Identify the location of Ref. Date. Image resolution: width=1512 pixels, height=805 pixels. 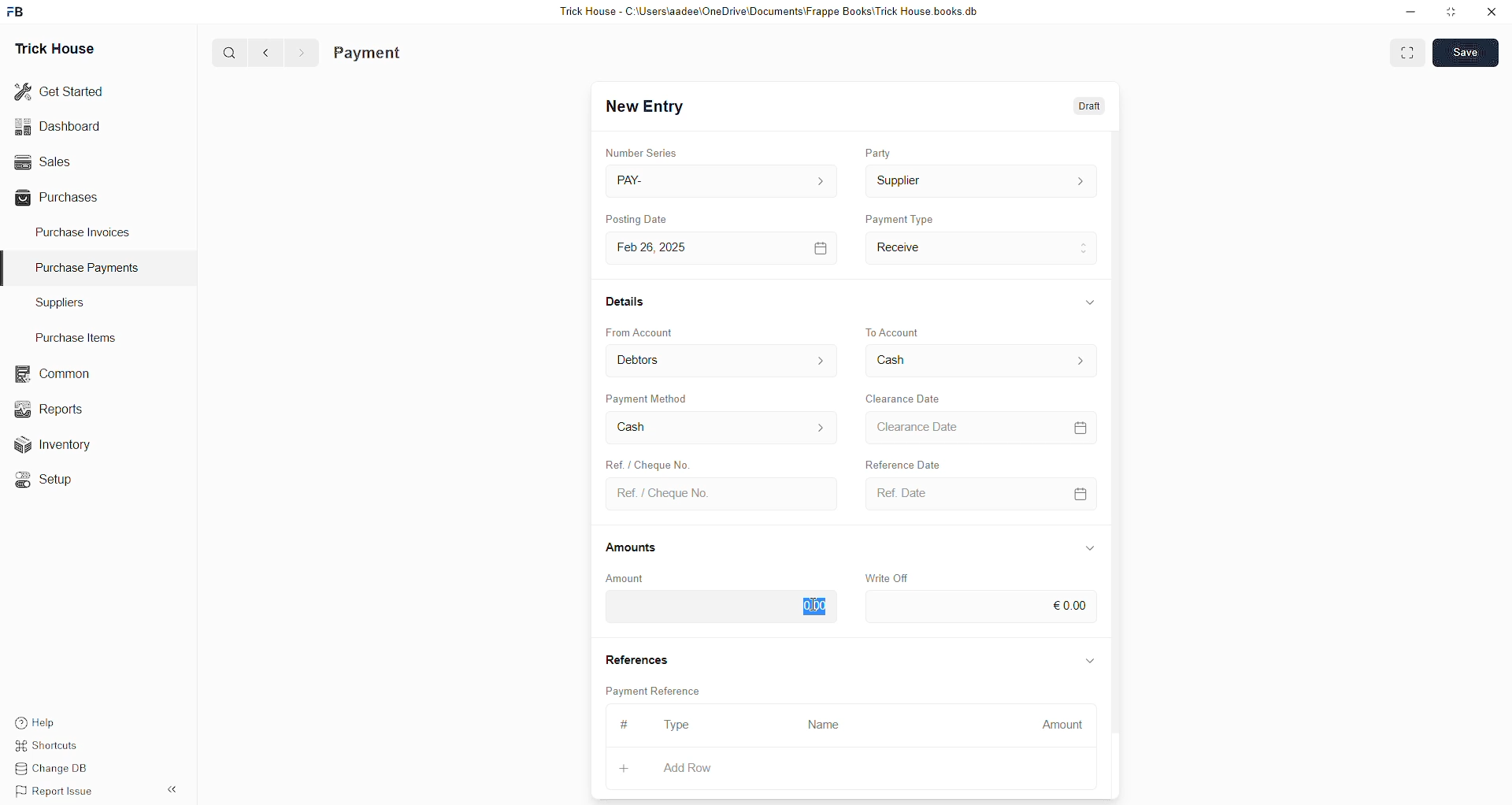
(976, 493).